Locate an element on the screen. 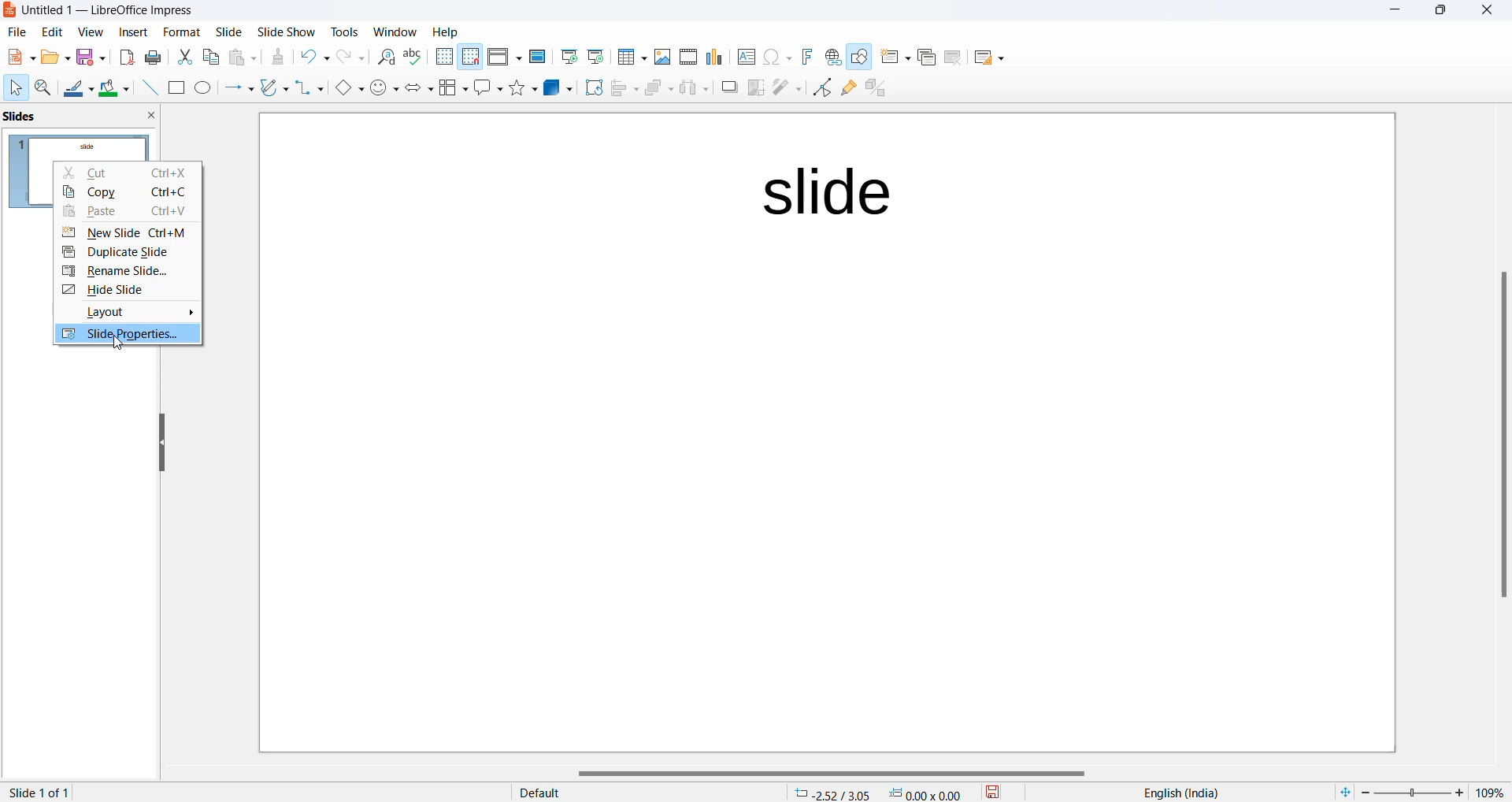 This screenshot has width=1512, height=802. toggle extrusion is located at coordinates (881, 91).